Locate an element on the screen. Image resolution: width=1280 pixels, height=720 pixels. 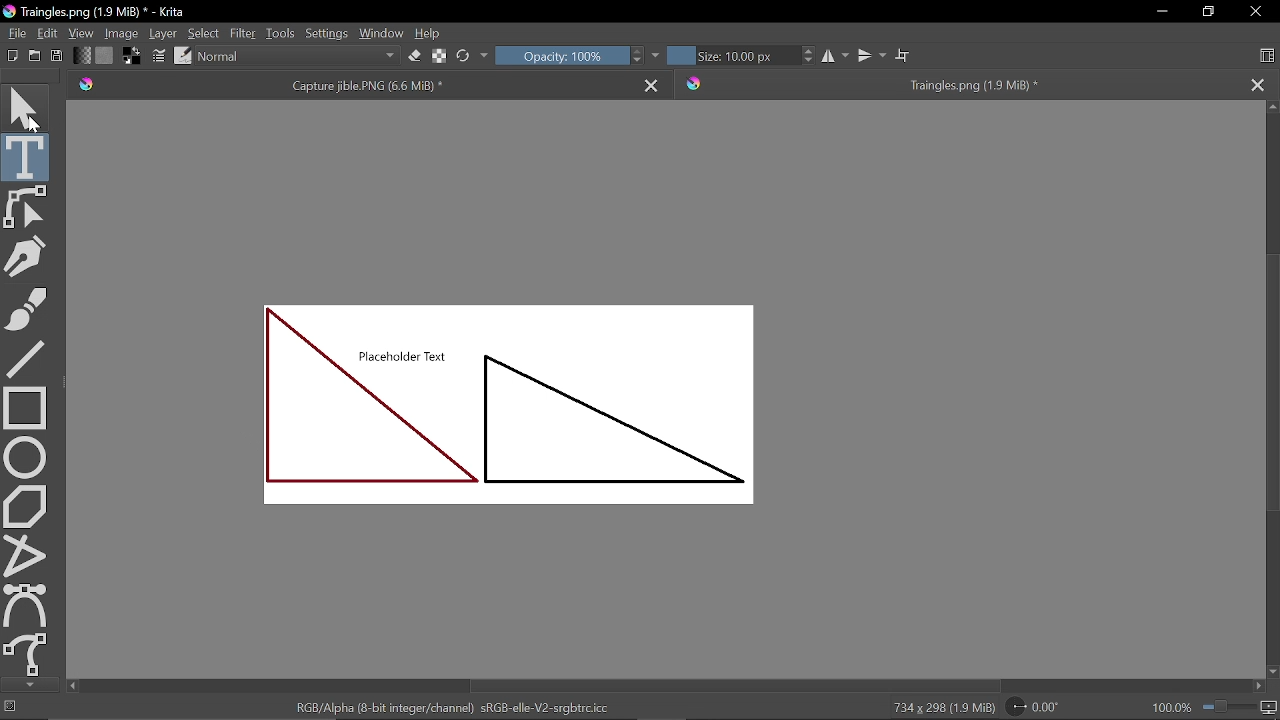
Text tool is located at coordinates (26, 156).